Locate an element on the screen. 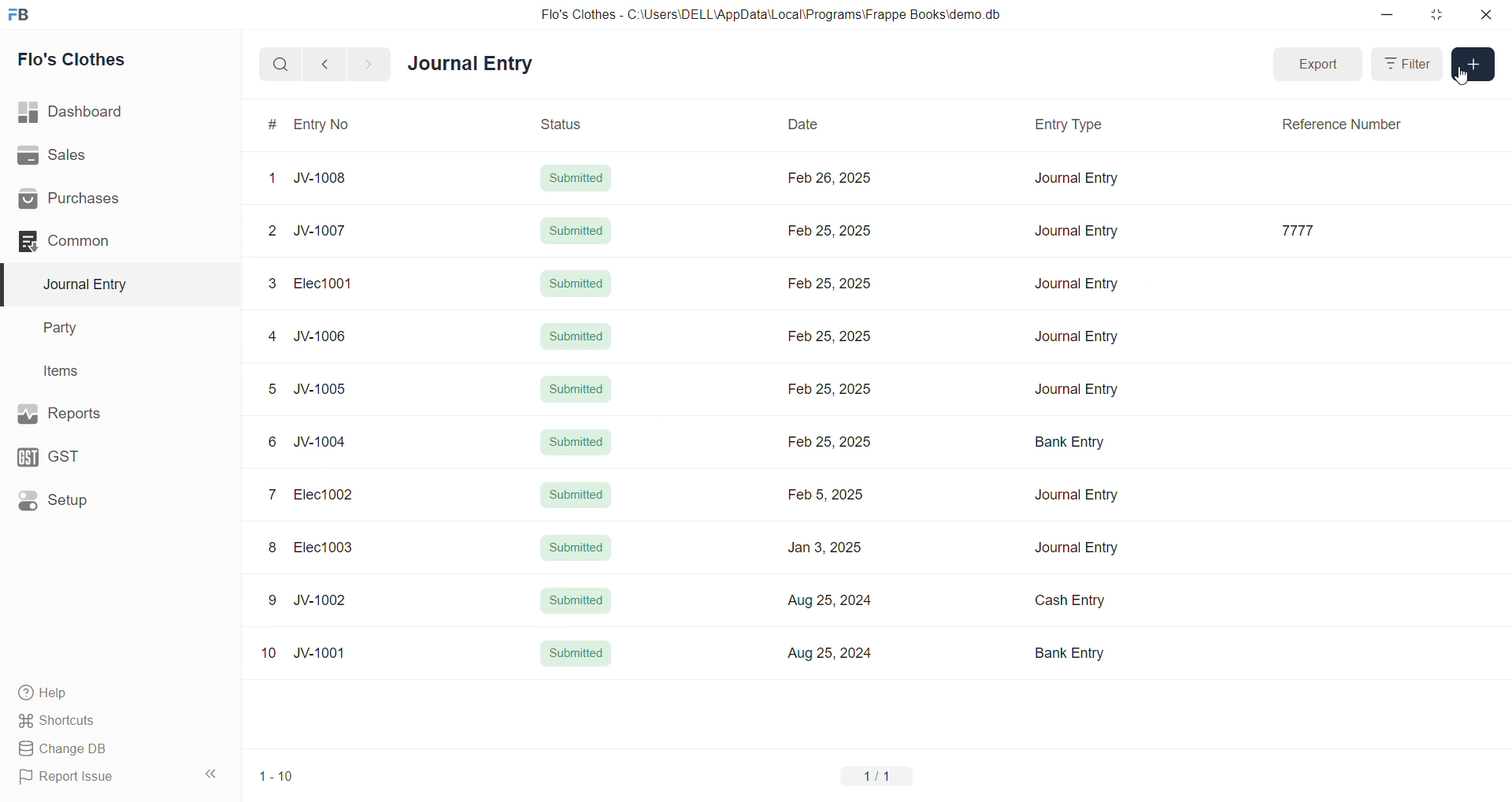 This screenshot has width=1512, height=802. Elec1003 is located at coordinates (324, 547).